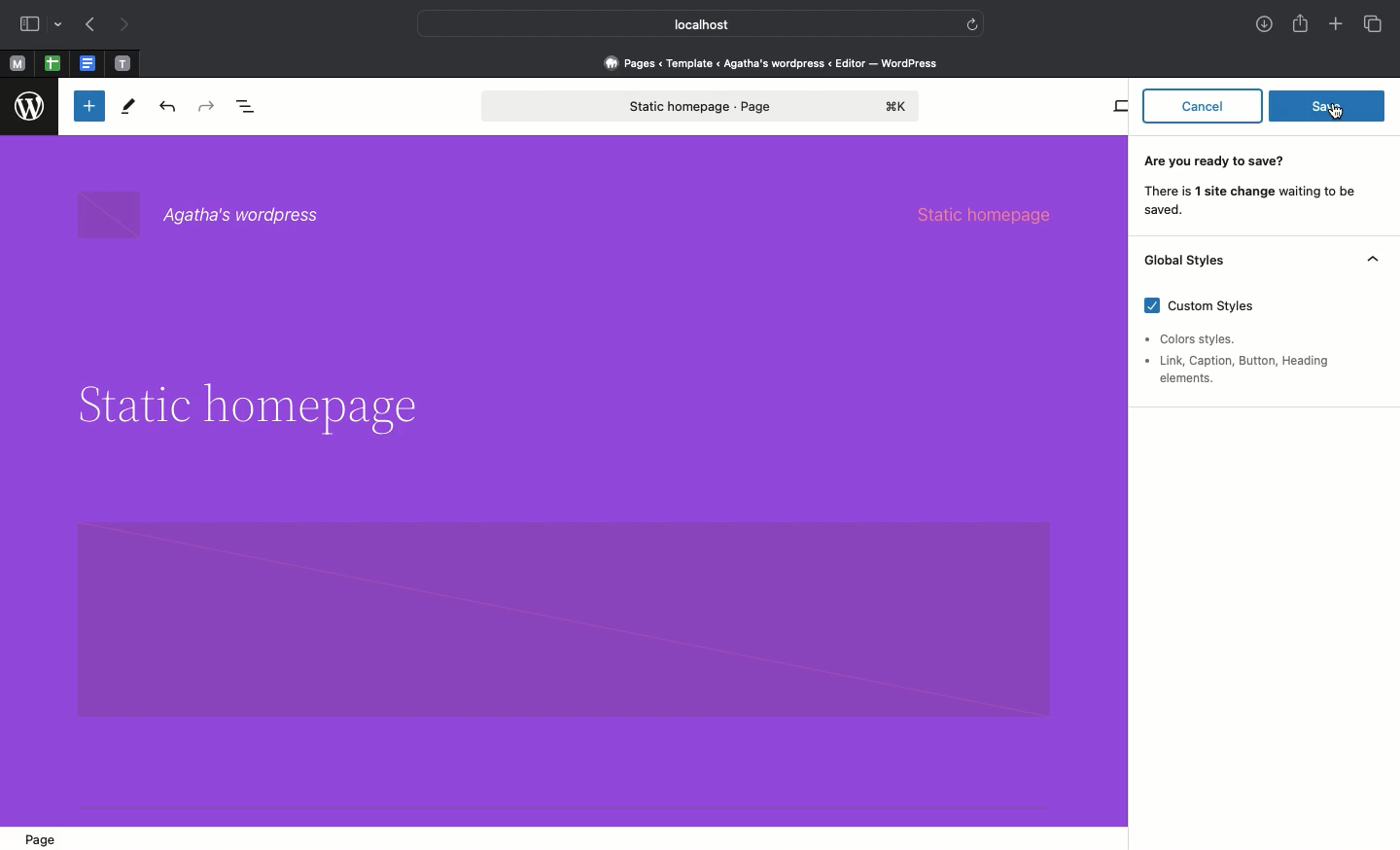  What do you see at coordinates (210, 216) in the screenshot?
I see `wordpress name` at bounding box center [210, 216].